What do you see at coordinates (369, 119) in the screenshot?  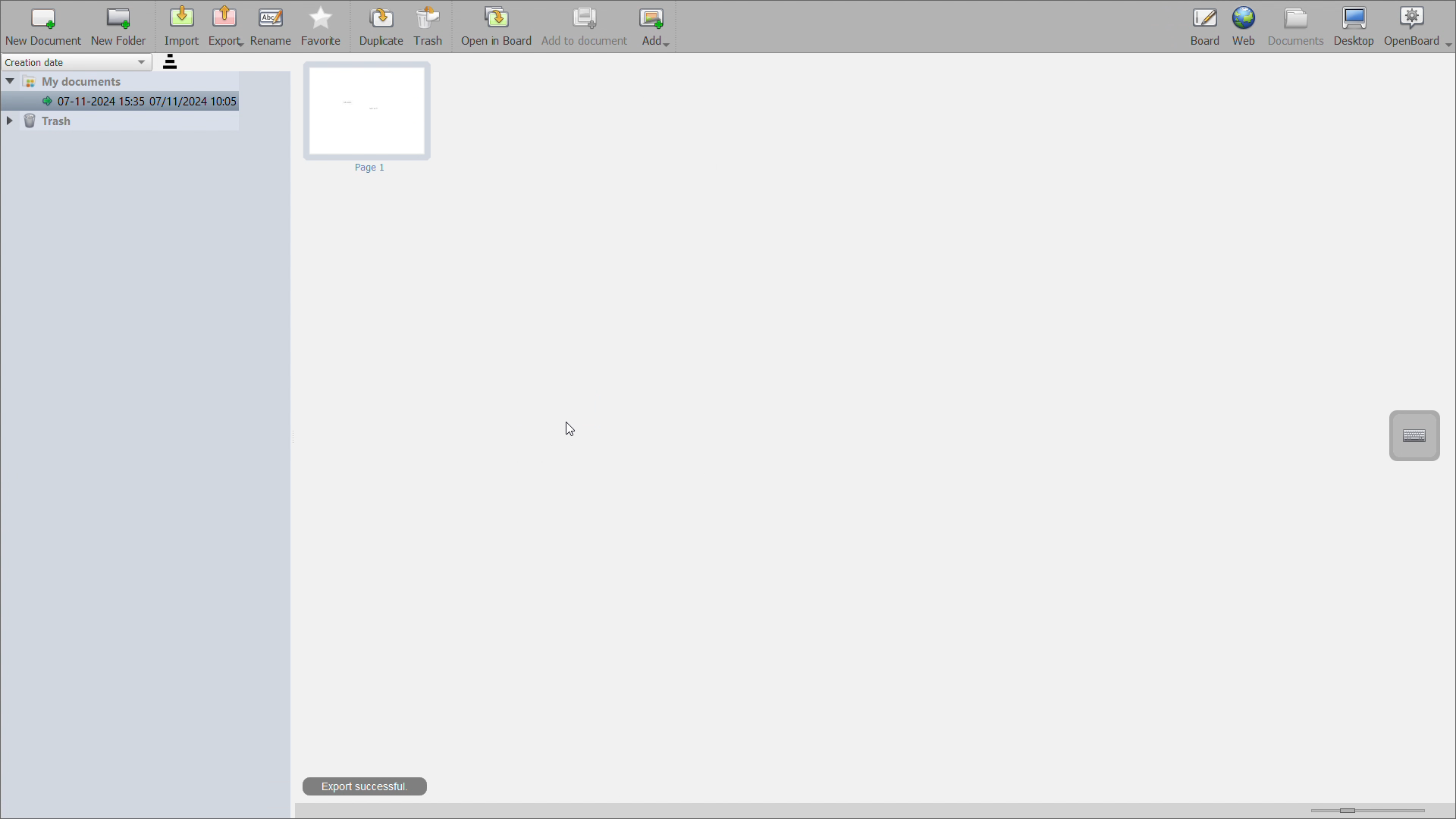 I see `page 1 of the board` at bounding box center [369, 119].